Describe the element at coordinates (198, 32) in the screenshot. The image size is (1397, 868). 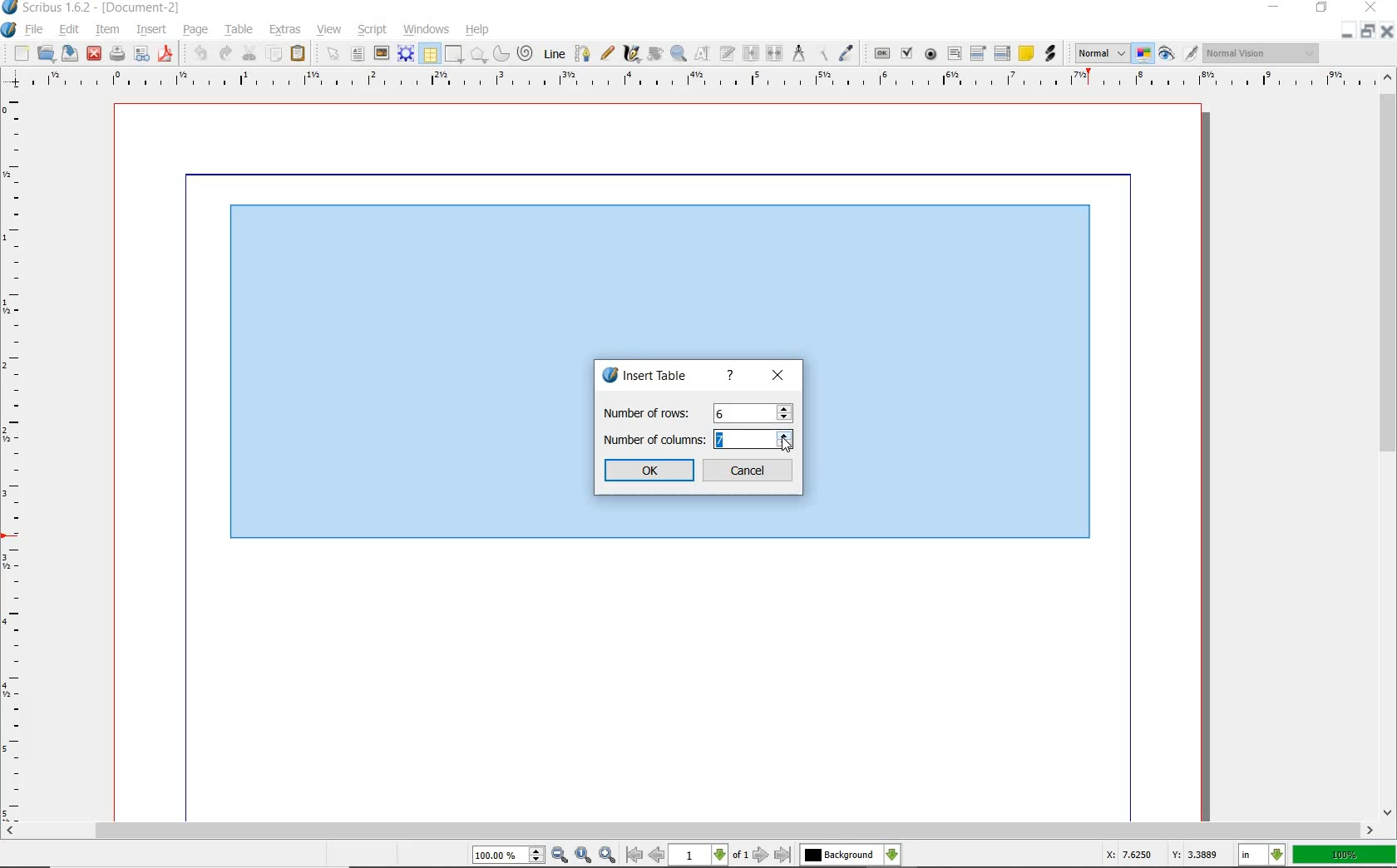
I see `page` at that location.